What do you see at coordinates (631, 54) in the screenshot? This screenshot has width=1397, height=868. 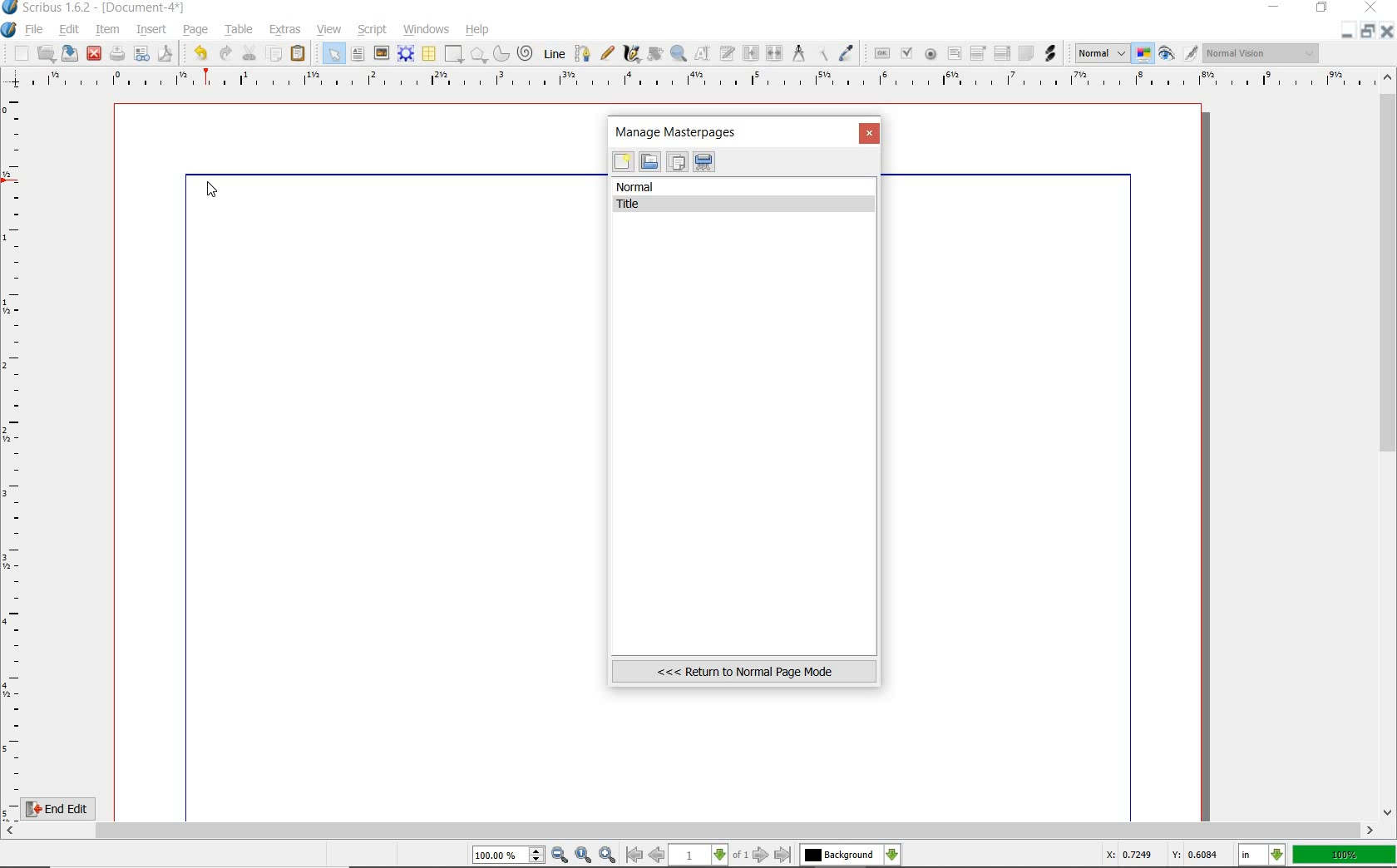 I see `calligraphic line` at bounding box center [631, 54].